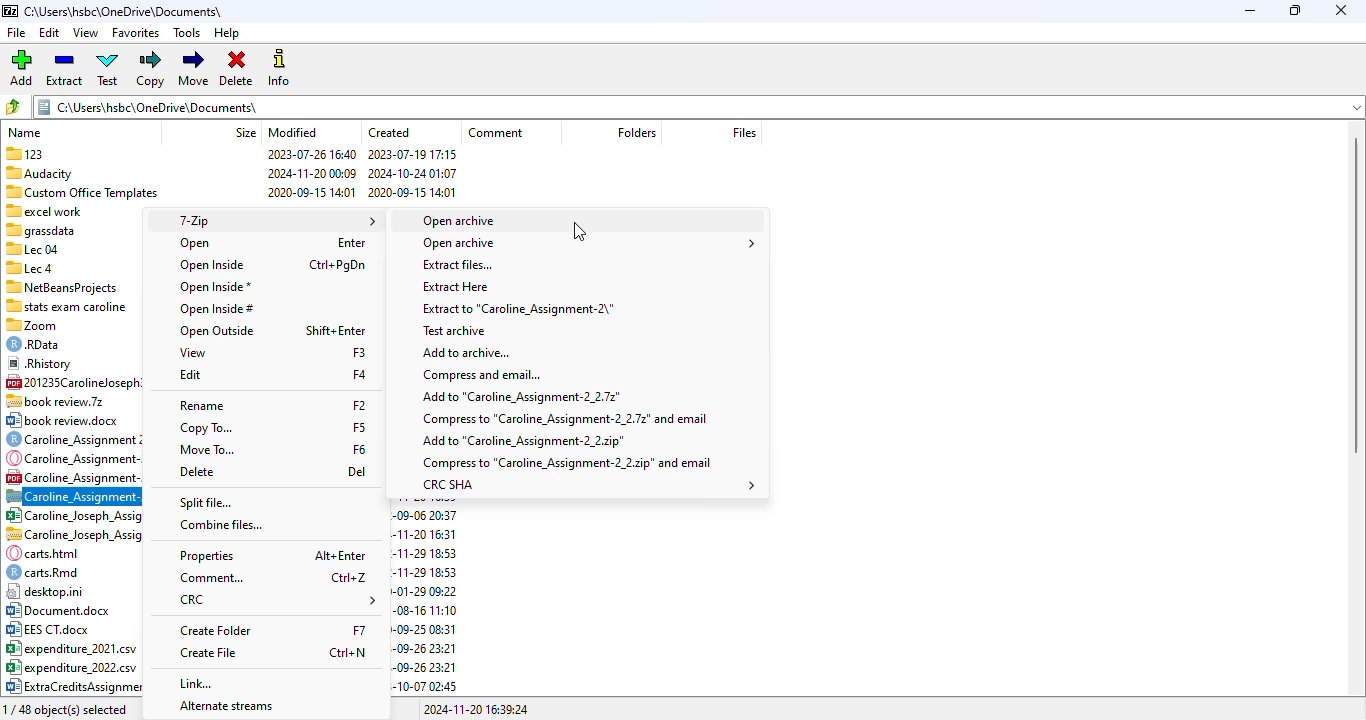 This screenshot has height=720, width=1366. Describe the element at coordinates (74, 628) in the screenshot. I see `B32 EES CT.doox 16886 2020-08-27 13:43 2020-09-25 08:31` at that location.